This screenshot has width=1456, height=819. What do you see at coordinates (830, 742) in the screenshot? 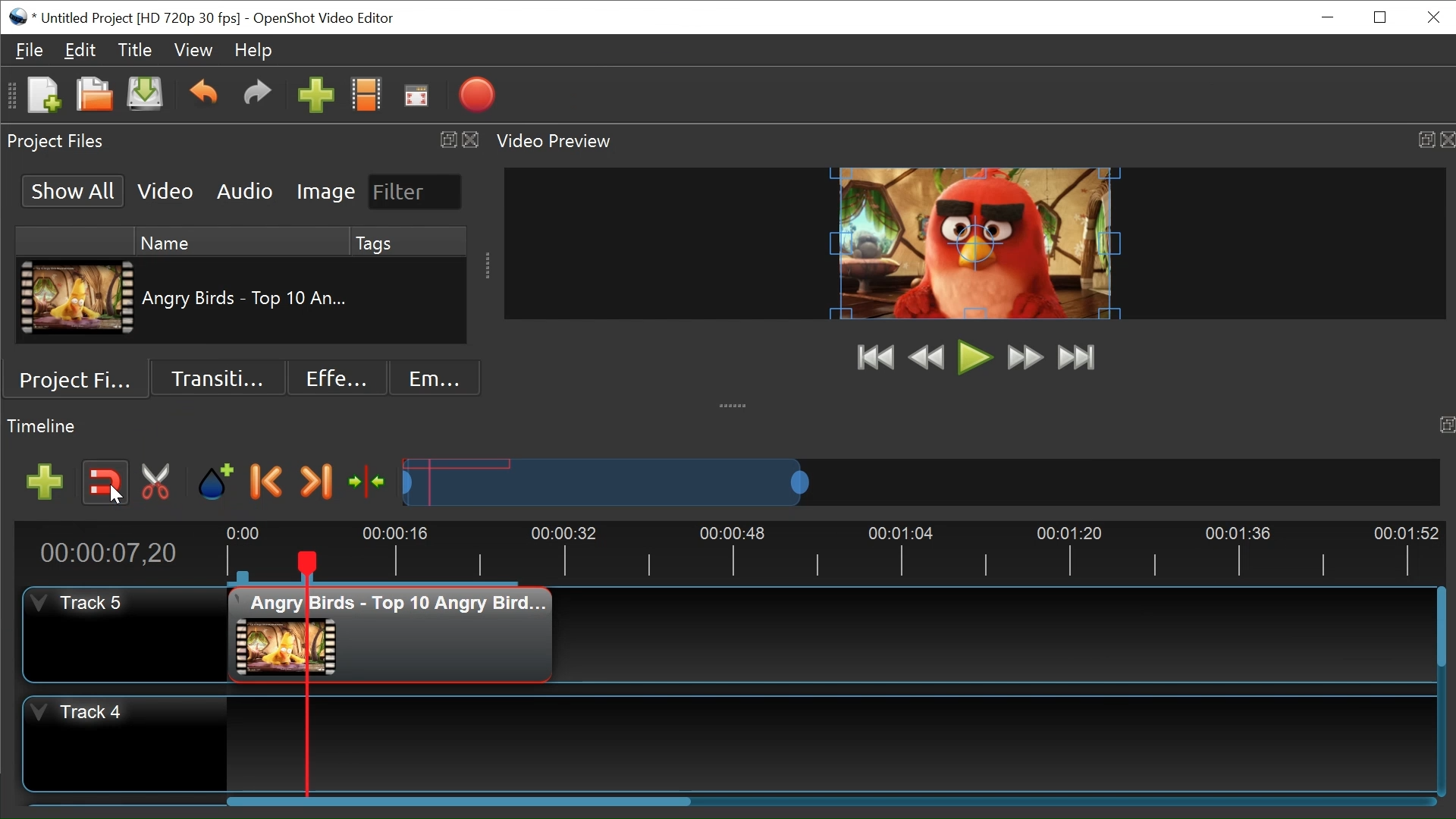
I see `Track Panel` at bounding box center [830, 742].